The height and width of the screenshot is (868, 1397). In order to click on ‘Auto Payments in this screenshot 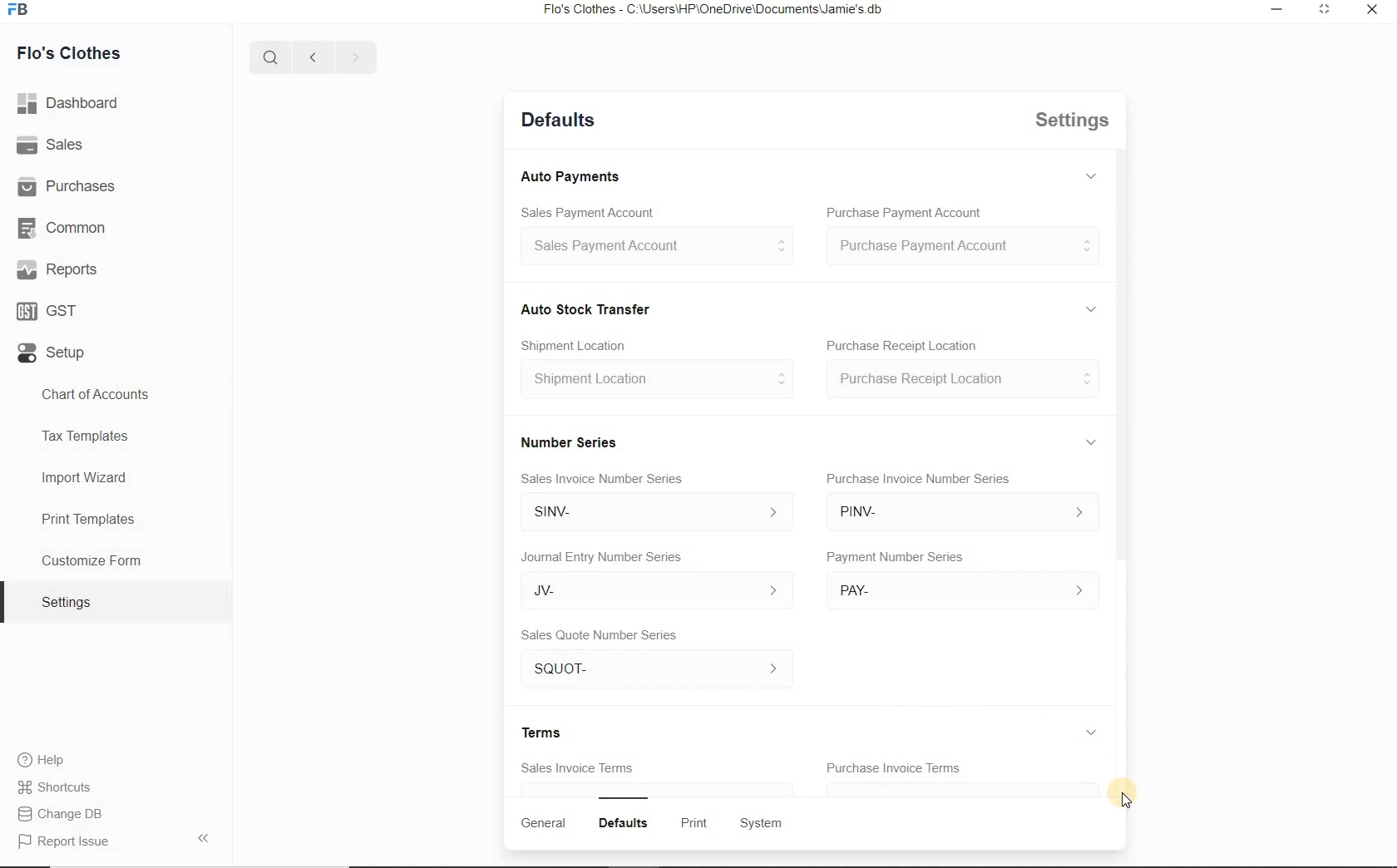, I will do `click(573, 177)`.